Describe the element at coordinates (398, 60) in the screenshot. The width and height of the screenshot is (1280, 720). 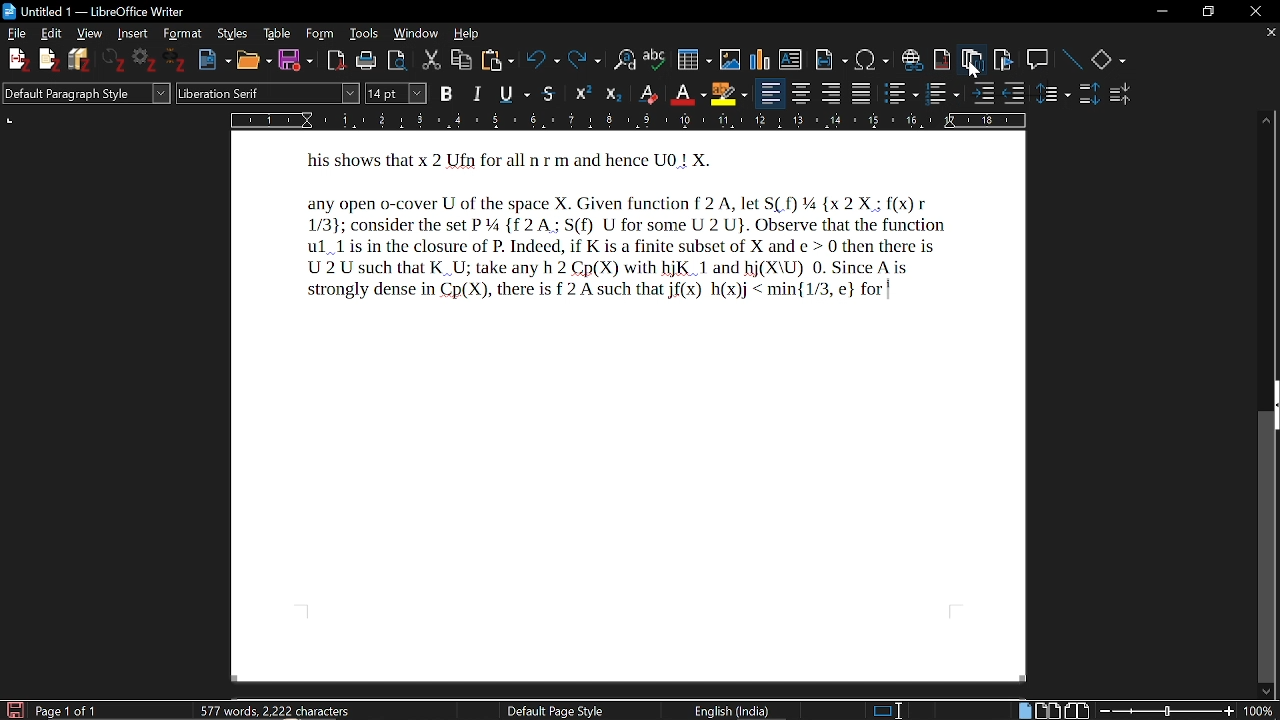
I see `Toggle point preview` at that location.